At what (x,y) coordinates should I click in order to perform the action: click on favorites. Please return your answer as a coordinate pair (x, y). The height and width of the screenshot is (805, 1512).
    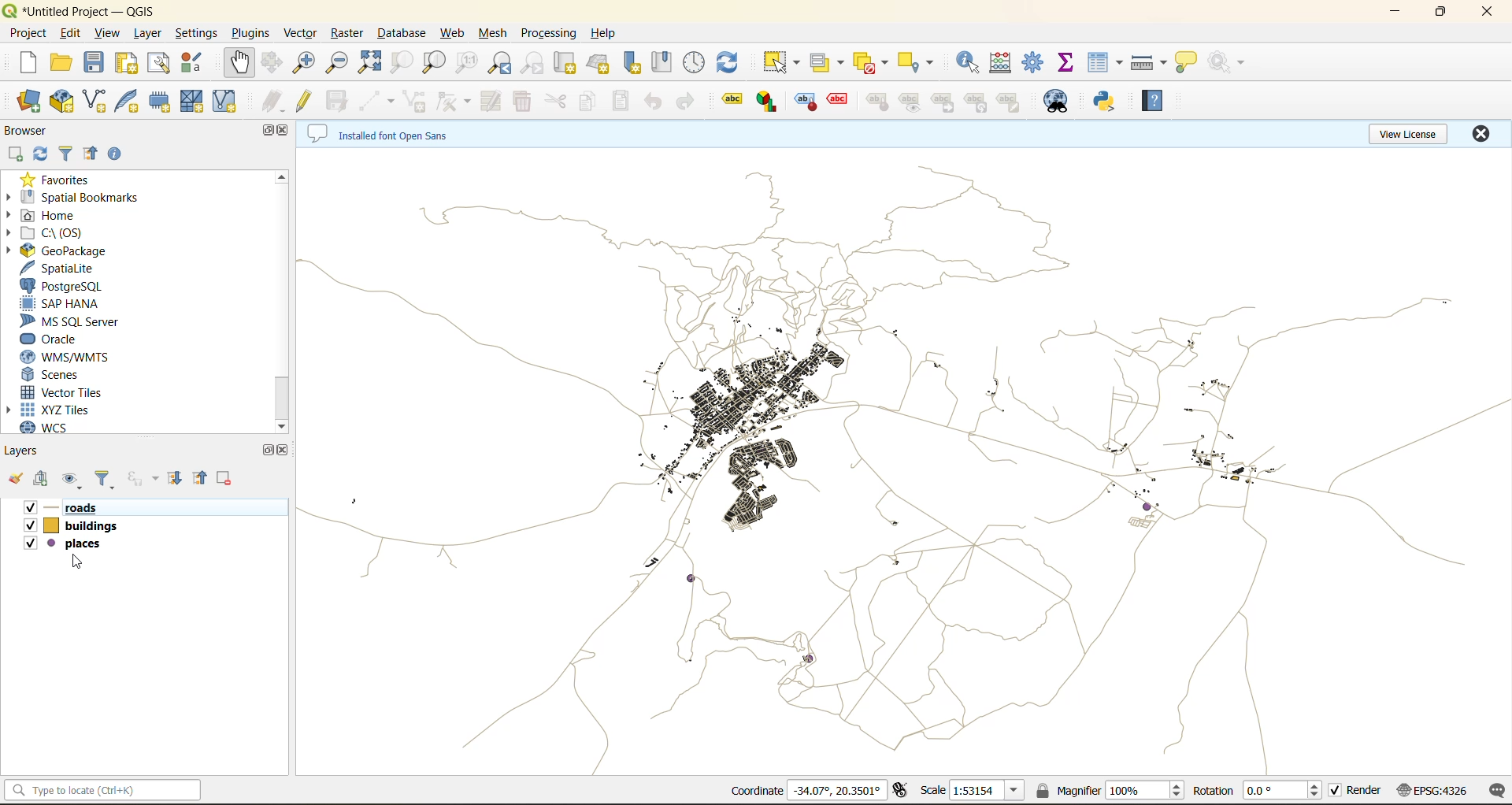
    Looking at the image, I should click on (61, 177).